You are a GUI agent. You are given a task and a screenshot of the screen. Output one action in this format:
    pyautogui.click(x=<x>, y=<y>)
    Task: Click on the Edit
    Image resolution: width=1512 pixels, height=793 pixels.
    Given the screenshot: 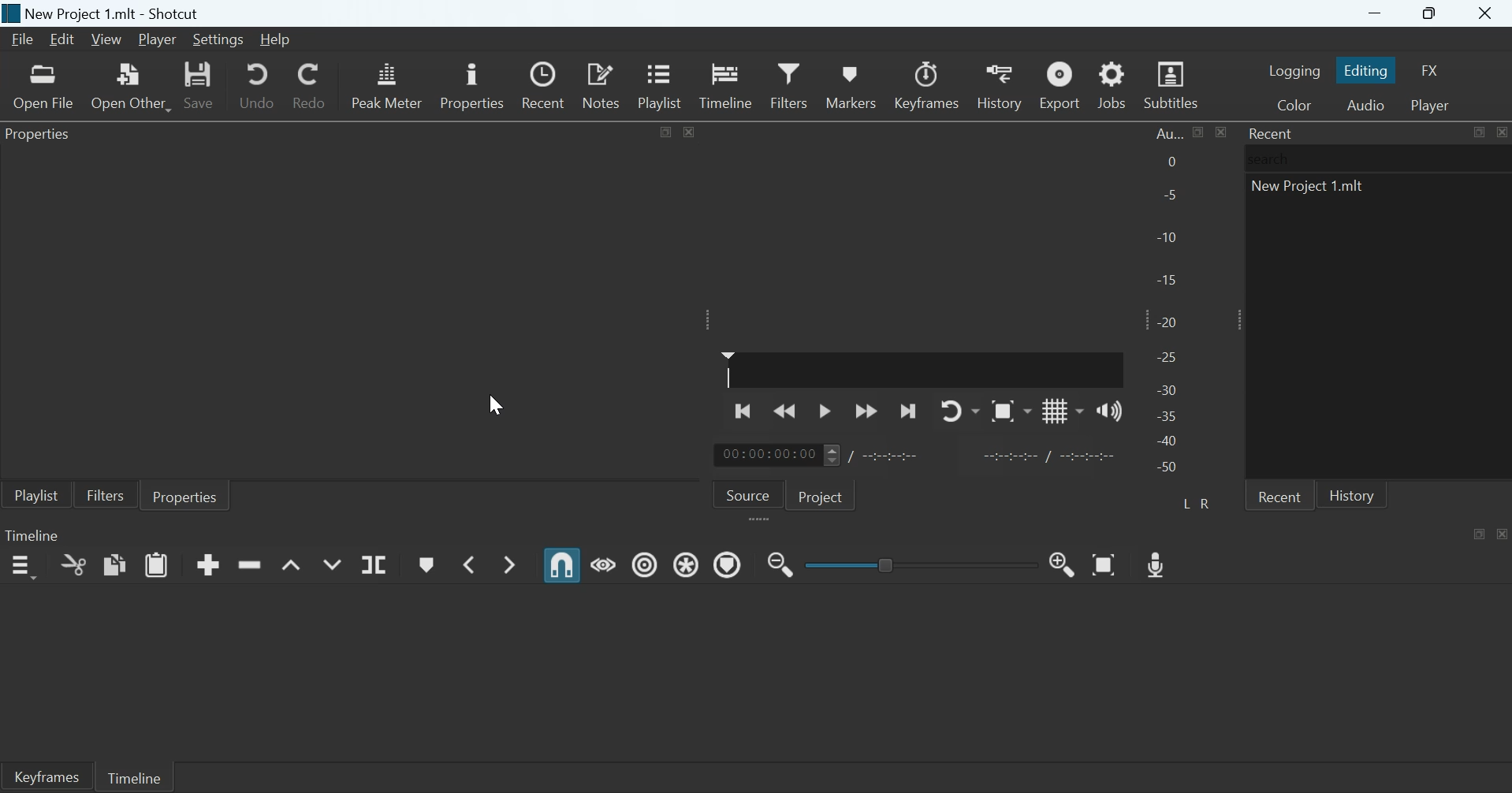 What is the action you would take?
    pyautogui.click(x=61, y=39)
    